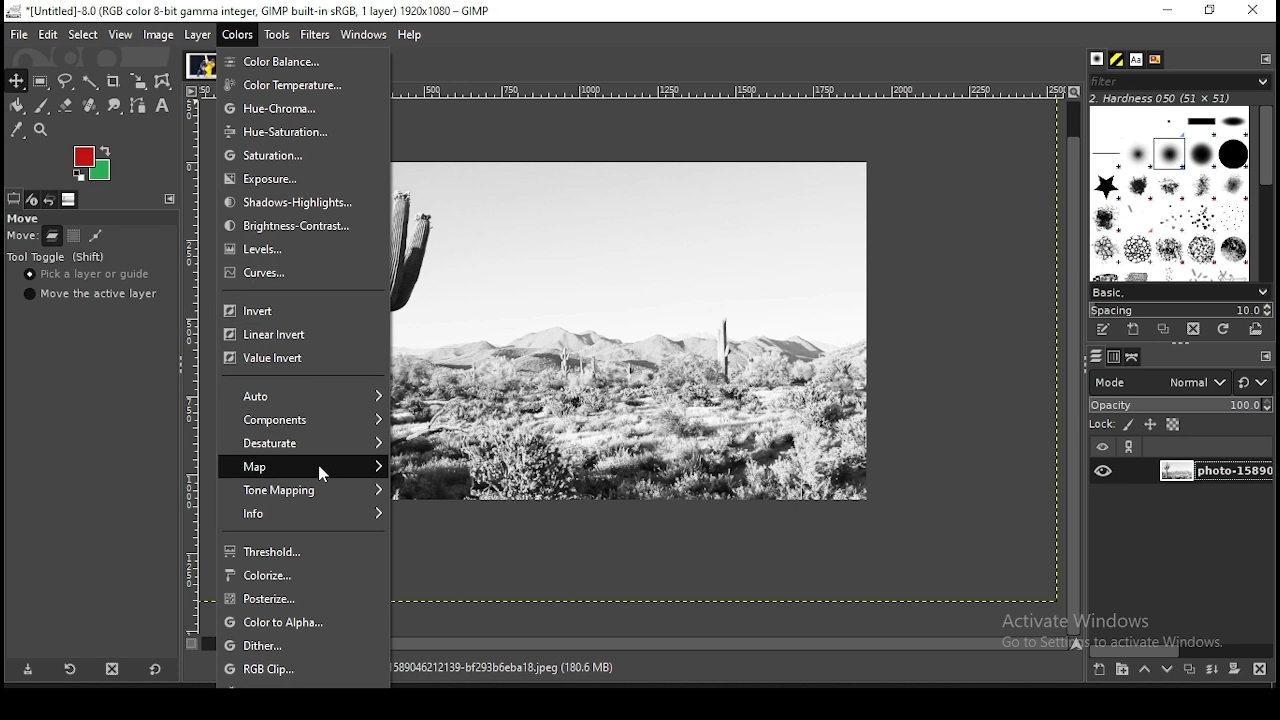 The image size is (1280, 720). What do you see at coordinates (307, 489) in the screenshot?
I see `tone mapping` at bounding box center [307, 489].